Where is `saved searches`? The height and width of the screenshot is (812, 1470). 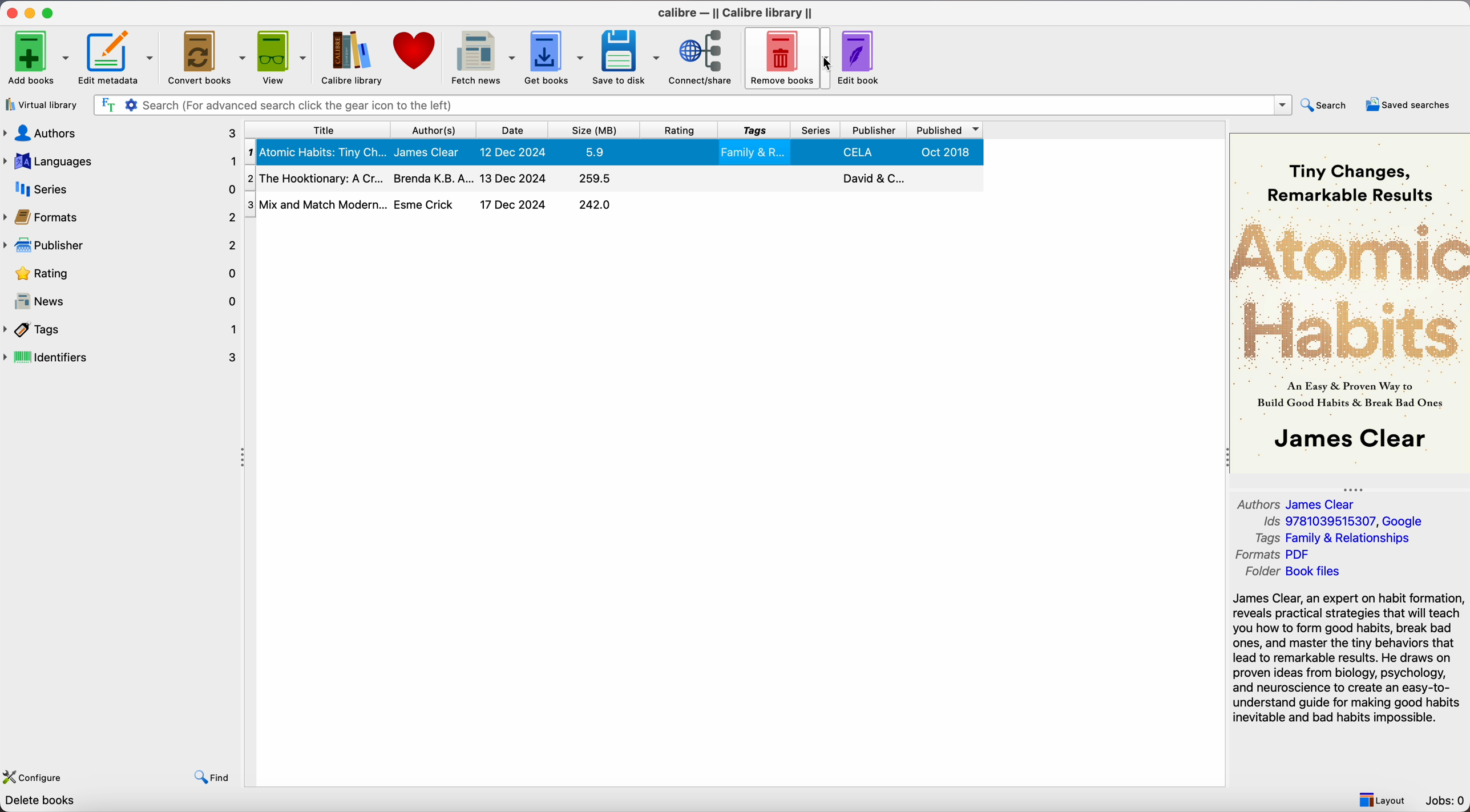 saved searches is located at coordinates (1407, 105).